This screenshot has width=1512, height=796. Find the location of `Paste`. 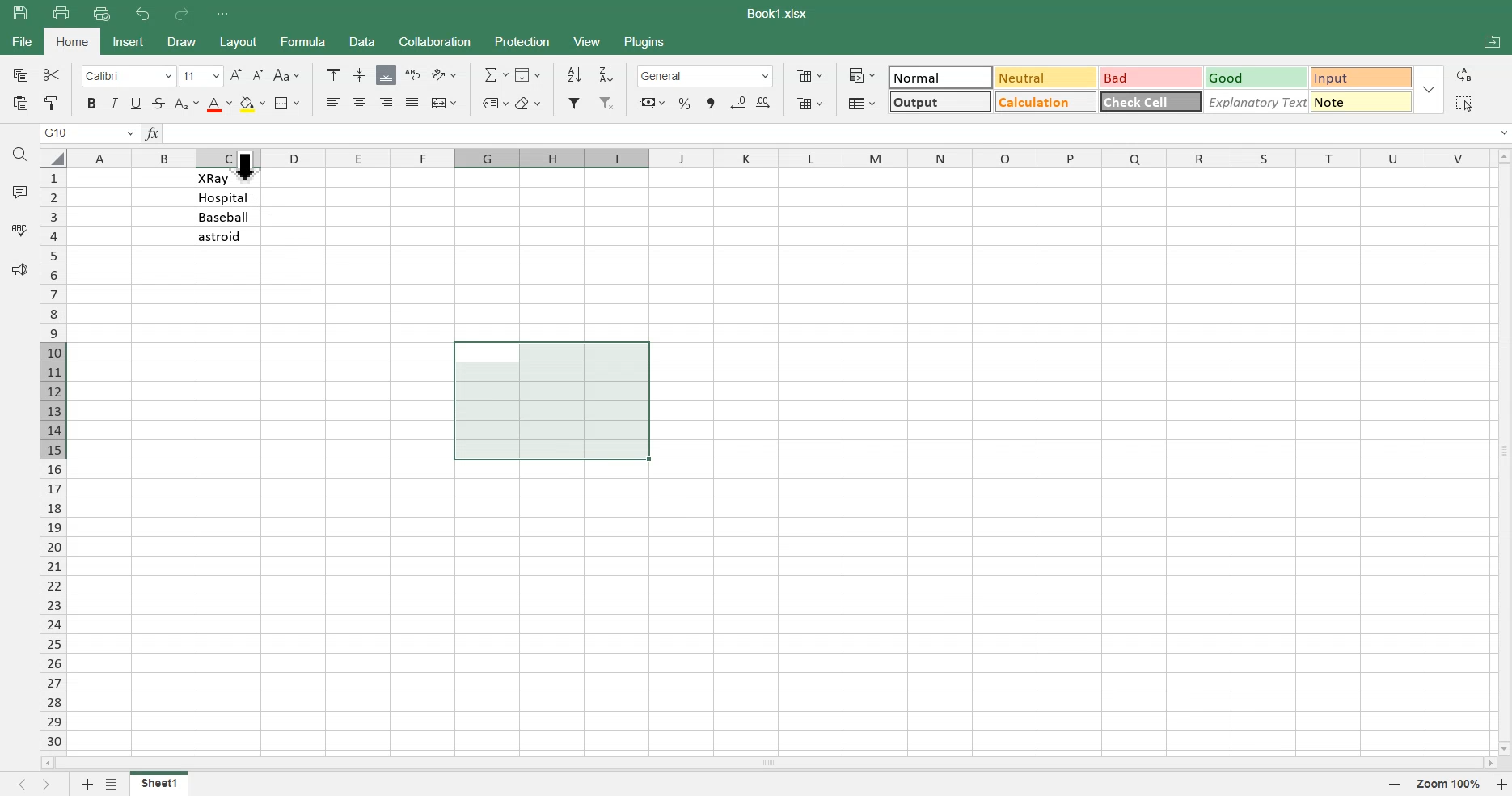

Paste is located at coordinates (19, 103).